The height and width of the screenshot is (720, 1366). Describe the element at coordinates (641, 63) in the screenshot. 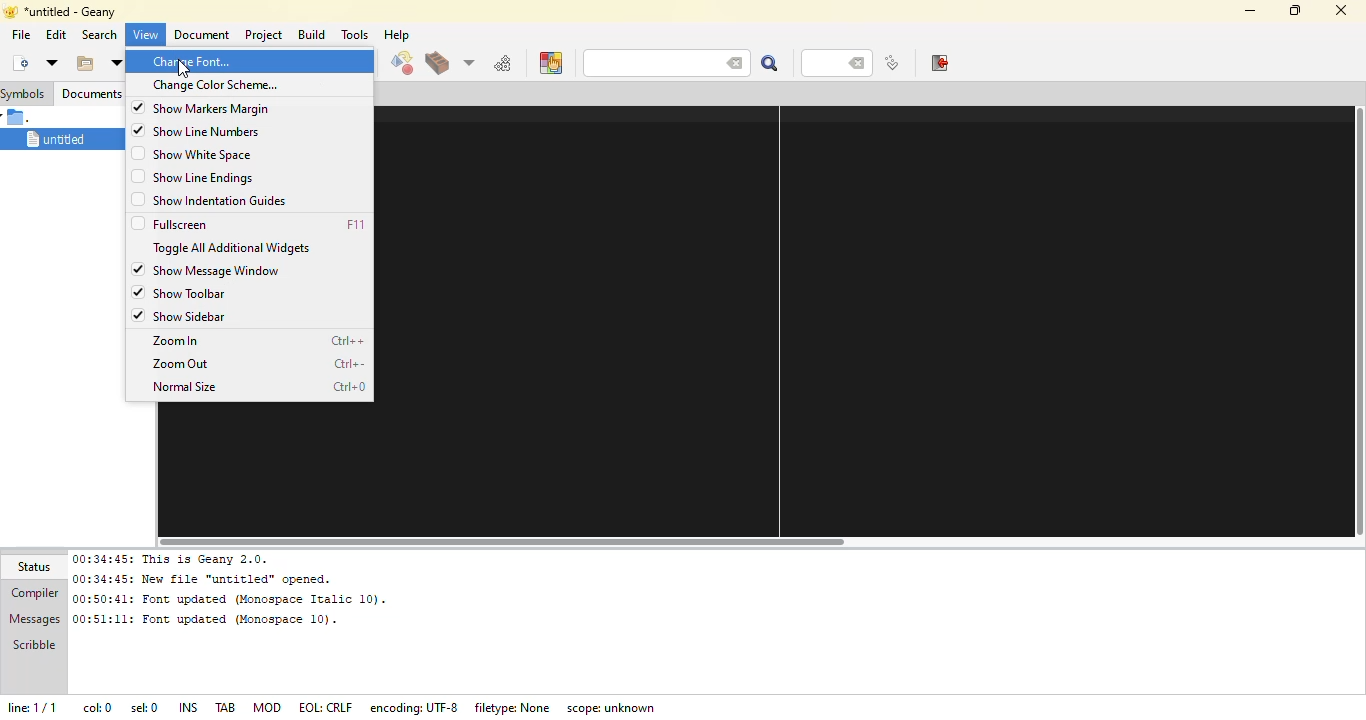

I see `search` at that location.